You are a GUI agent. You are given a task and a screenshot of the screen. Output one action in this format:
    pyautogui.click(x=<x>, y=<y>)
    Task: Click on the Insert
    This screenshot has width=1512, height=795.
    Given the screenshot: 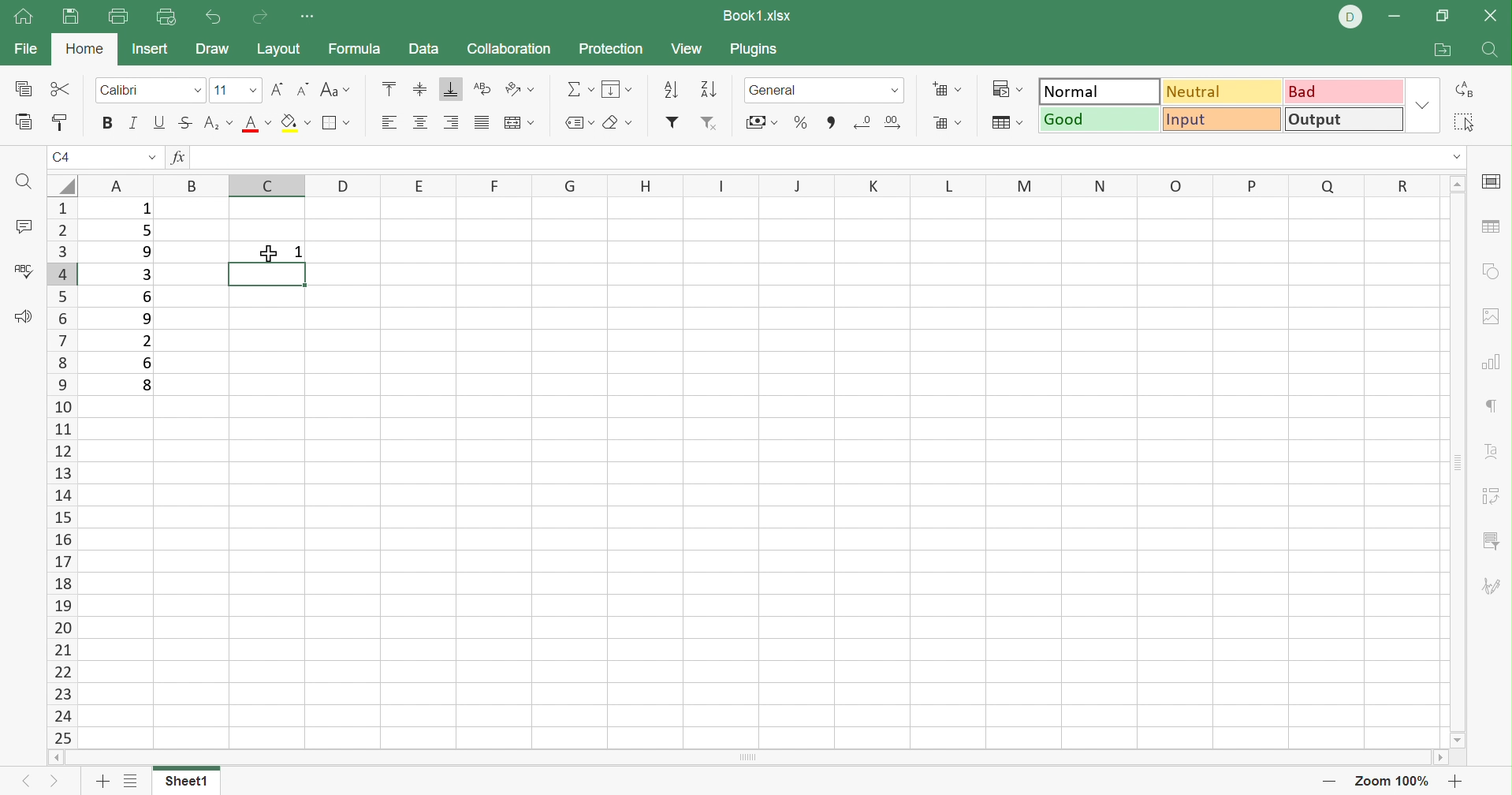 What is the action you would take?
    pyautogui.click(x=150, y=50)
    